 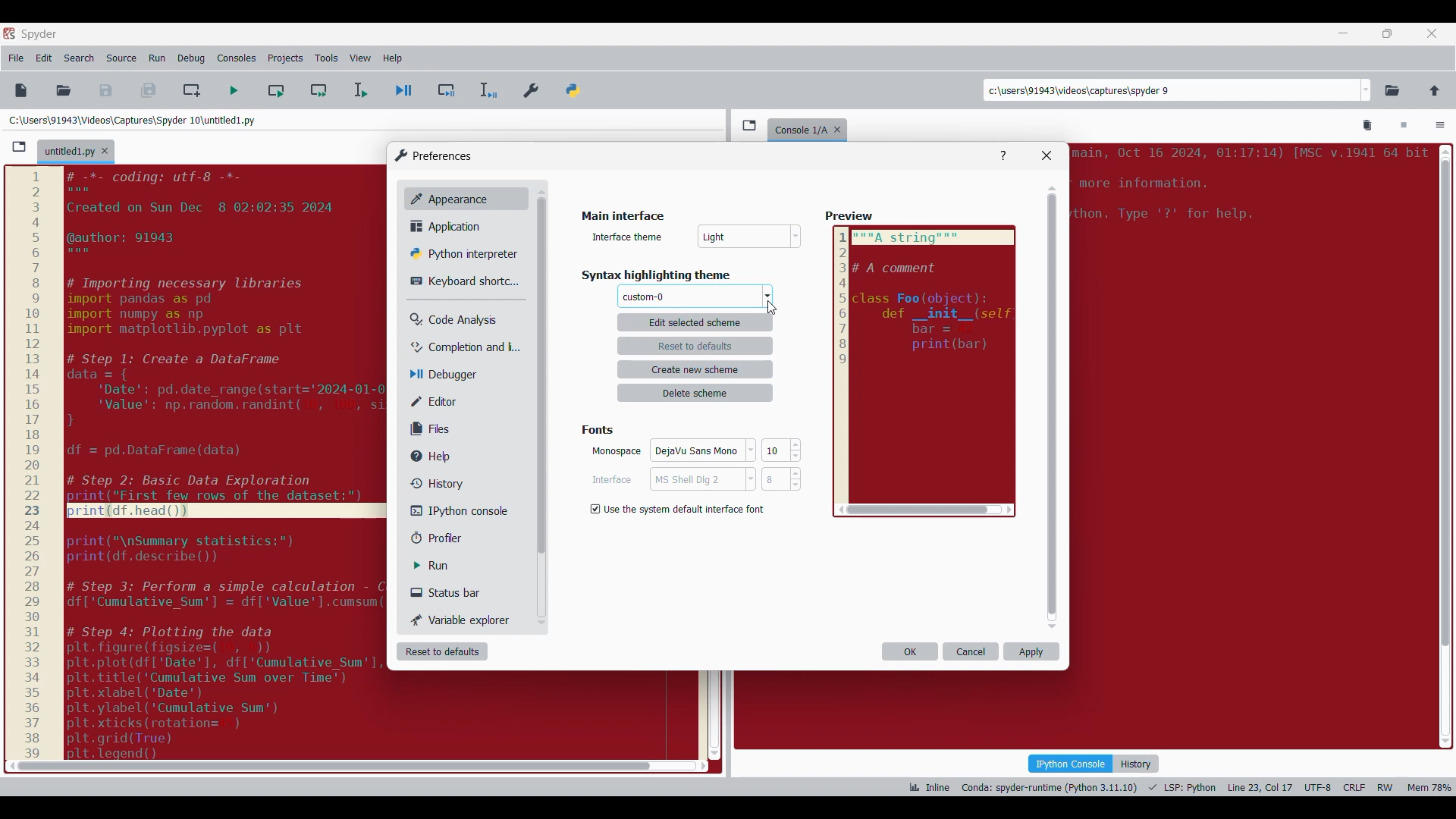 I want to click on Appearance, current selection highlighted, so click(x=446, y=197).